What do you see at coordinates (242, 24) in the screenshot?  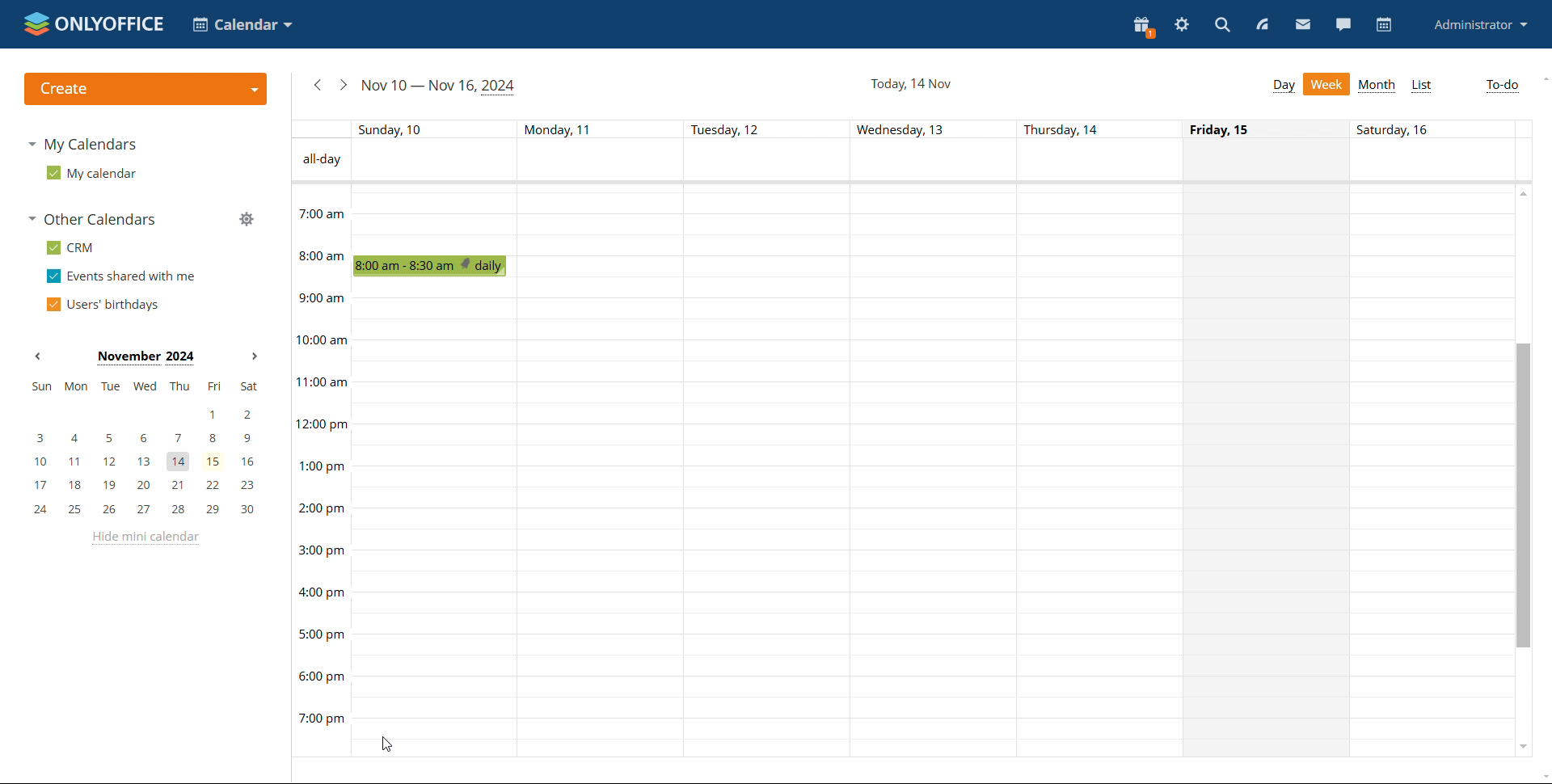 I see `select application` at bounding box center [242, 24].